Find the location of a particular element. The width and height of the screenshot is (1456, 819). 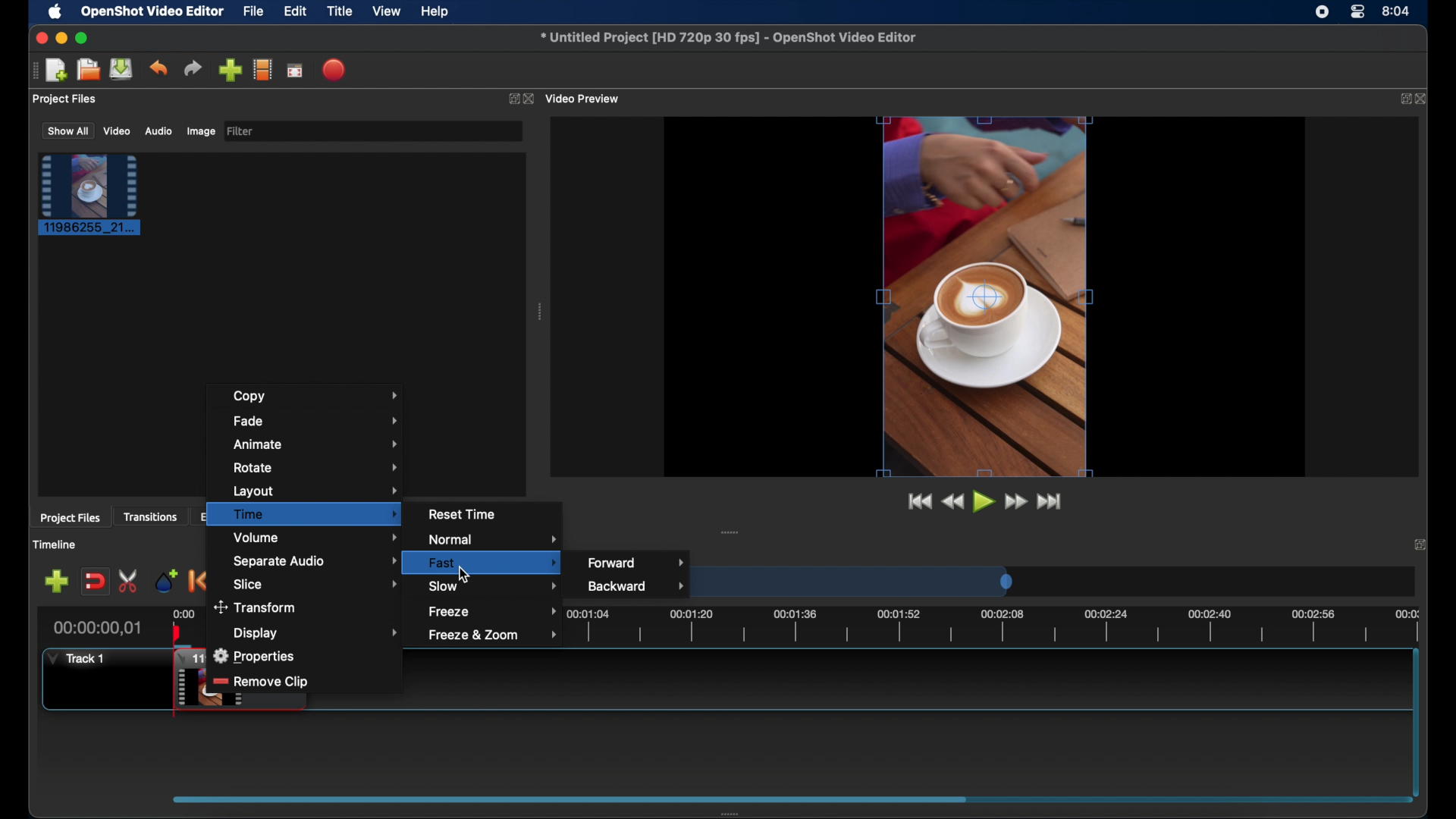

import files is located at coordinates (229, 71).